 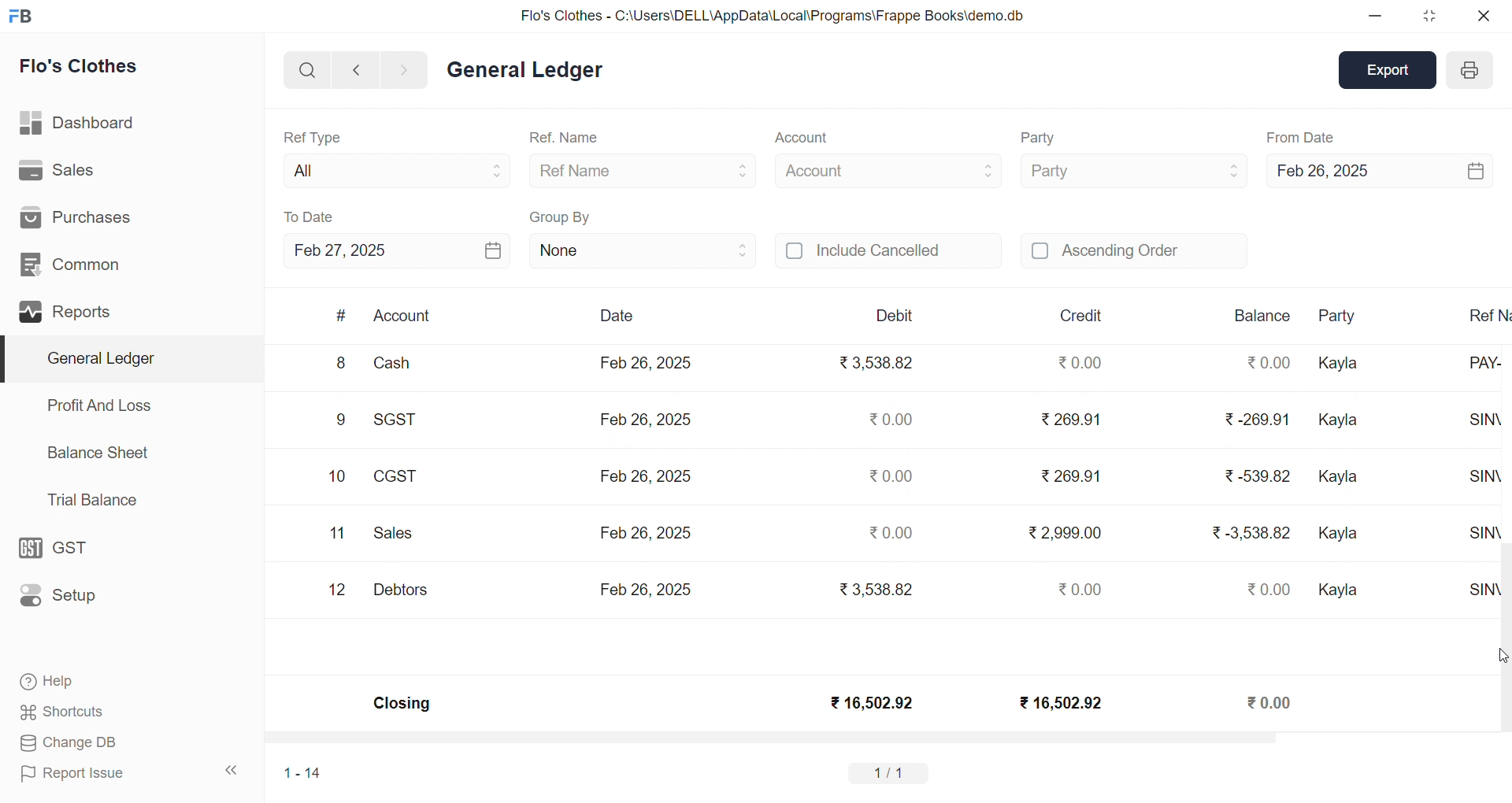 I want to click on ₹ 0.00, so click(x=1271, y=701).